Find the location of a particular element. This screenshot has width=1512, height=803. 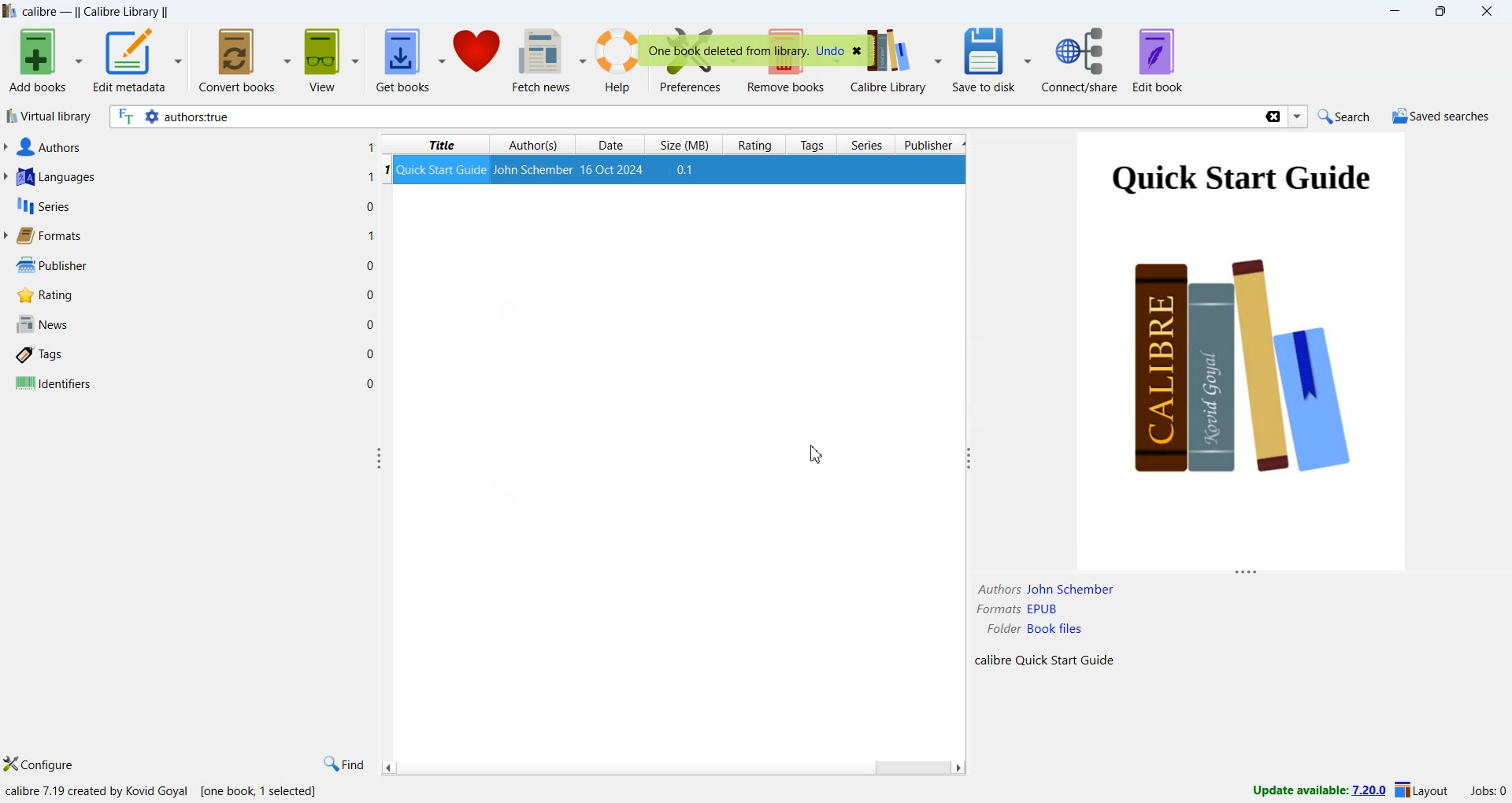

save to disk is located at coordinates (991, 61).